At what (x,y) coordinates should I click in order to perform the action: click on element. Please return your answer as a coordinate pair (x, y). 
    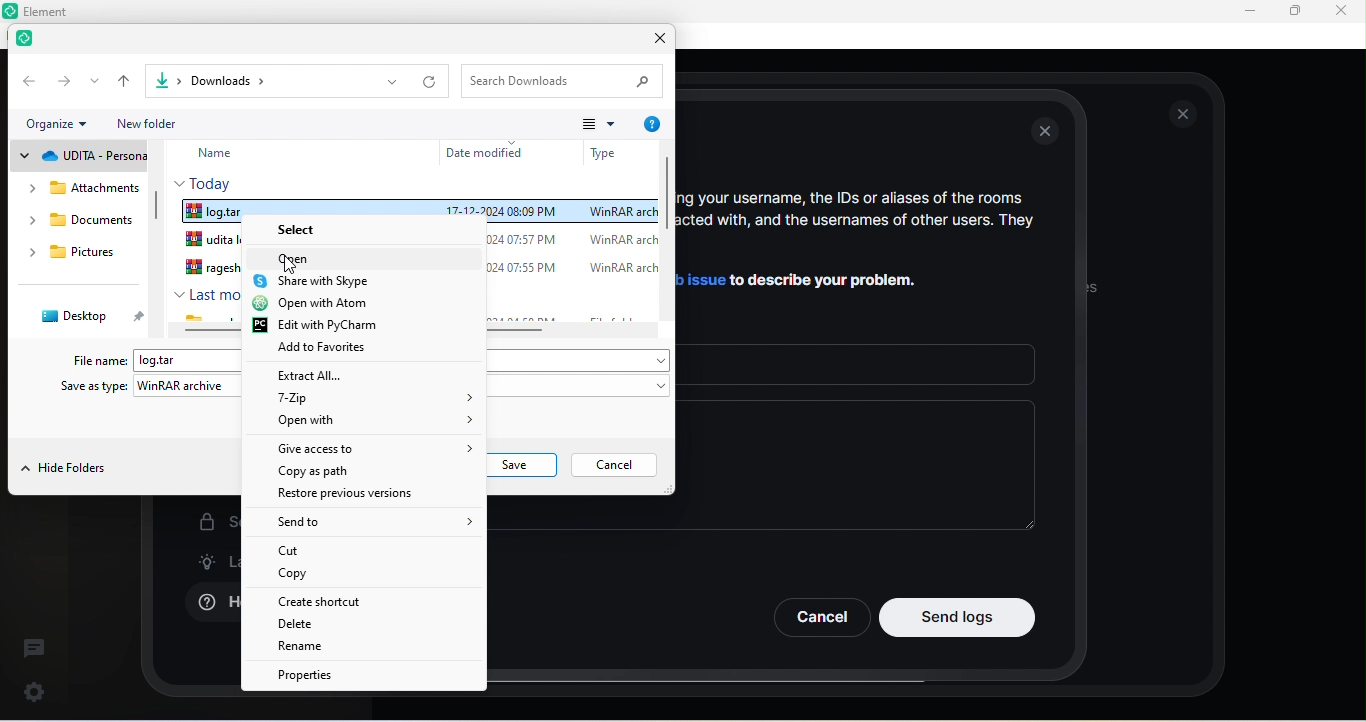
    Looking at the image, I should click on (30, 41).